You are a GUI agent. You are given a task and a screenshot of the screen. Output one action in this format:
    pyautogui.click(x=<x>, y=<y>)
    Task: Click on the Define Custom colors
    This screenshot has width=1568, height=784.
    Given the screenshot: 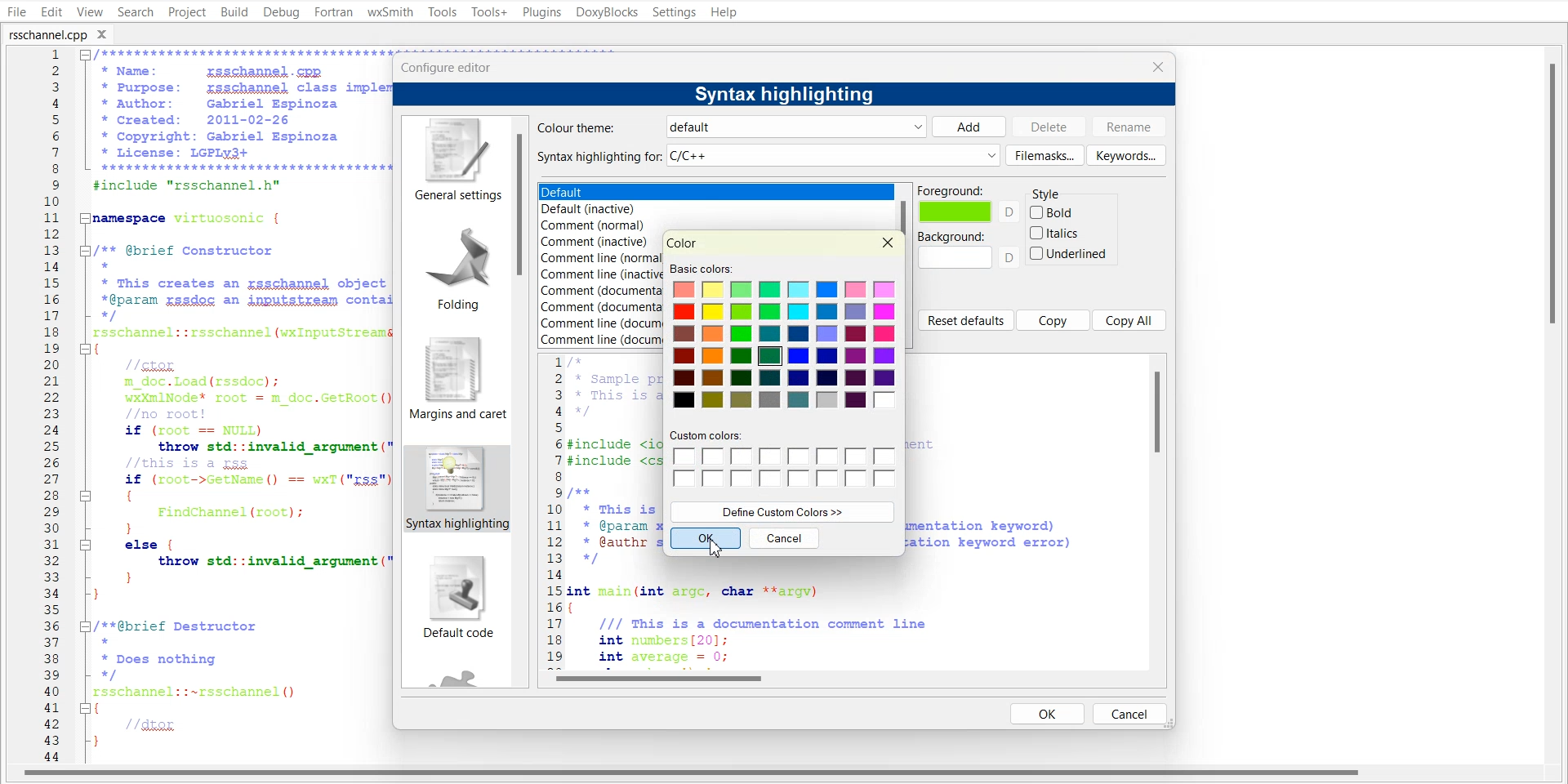 What is the action you would take?
    pyautogui.click(x=782, y=511)
    